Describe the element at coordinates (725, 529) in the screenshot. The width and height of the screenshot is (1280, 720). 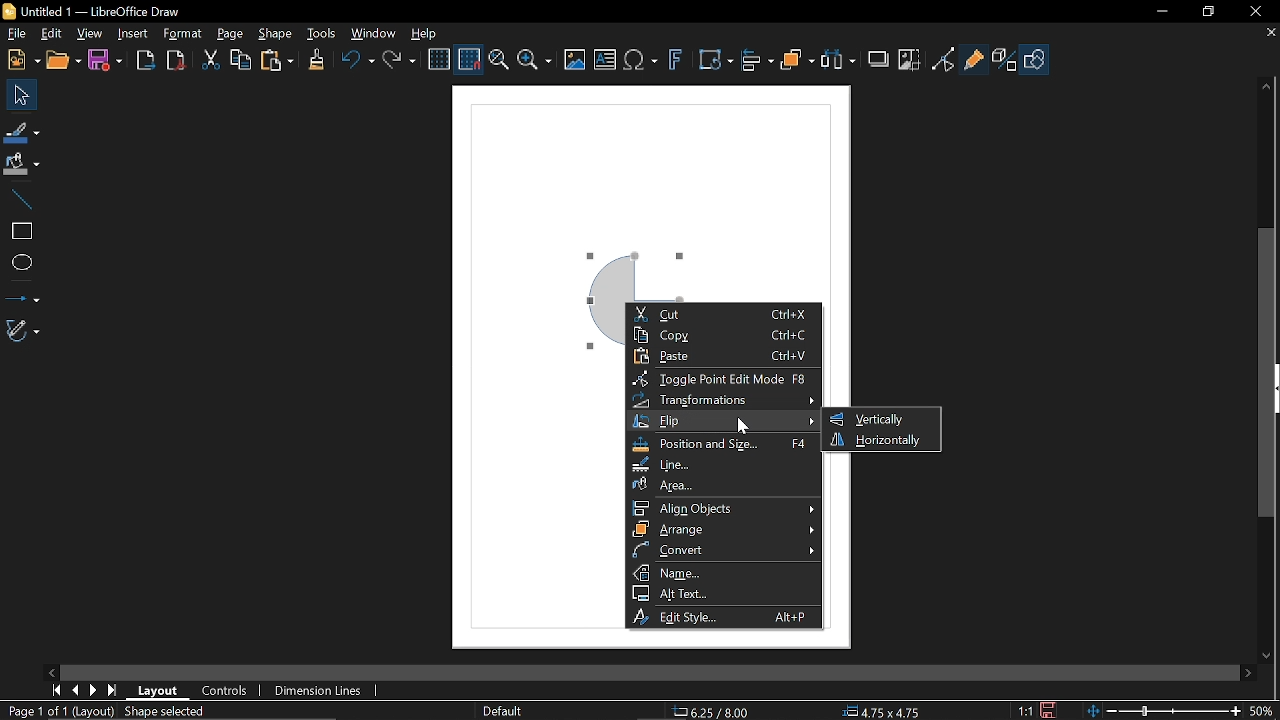
I see `Arrange` at that location.